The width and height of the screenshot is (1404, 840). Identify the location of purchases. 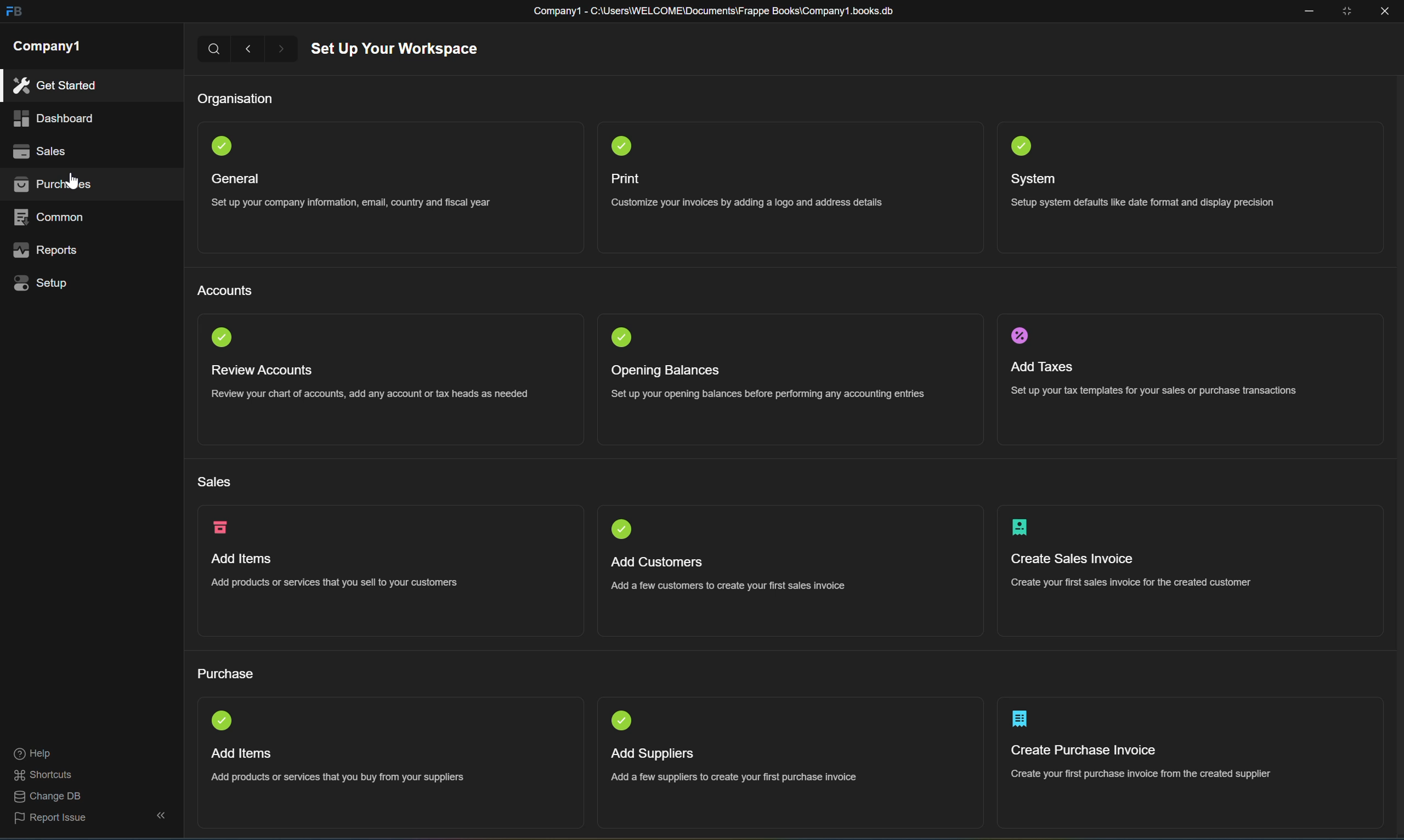
(54, 188).